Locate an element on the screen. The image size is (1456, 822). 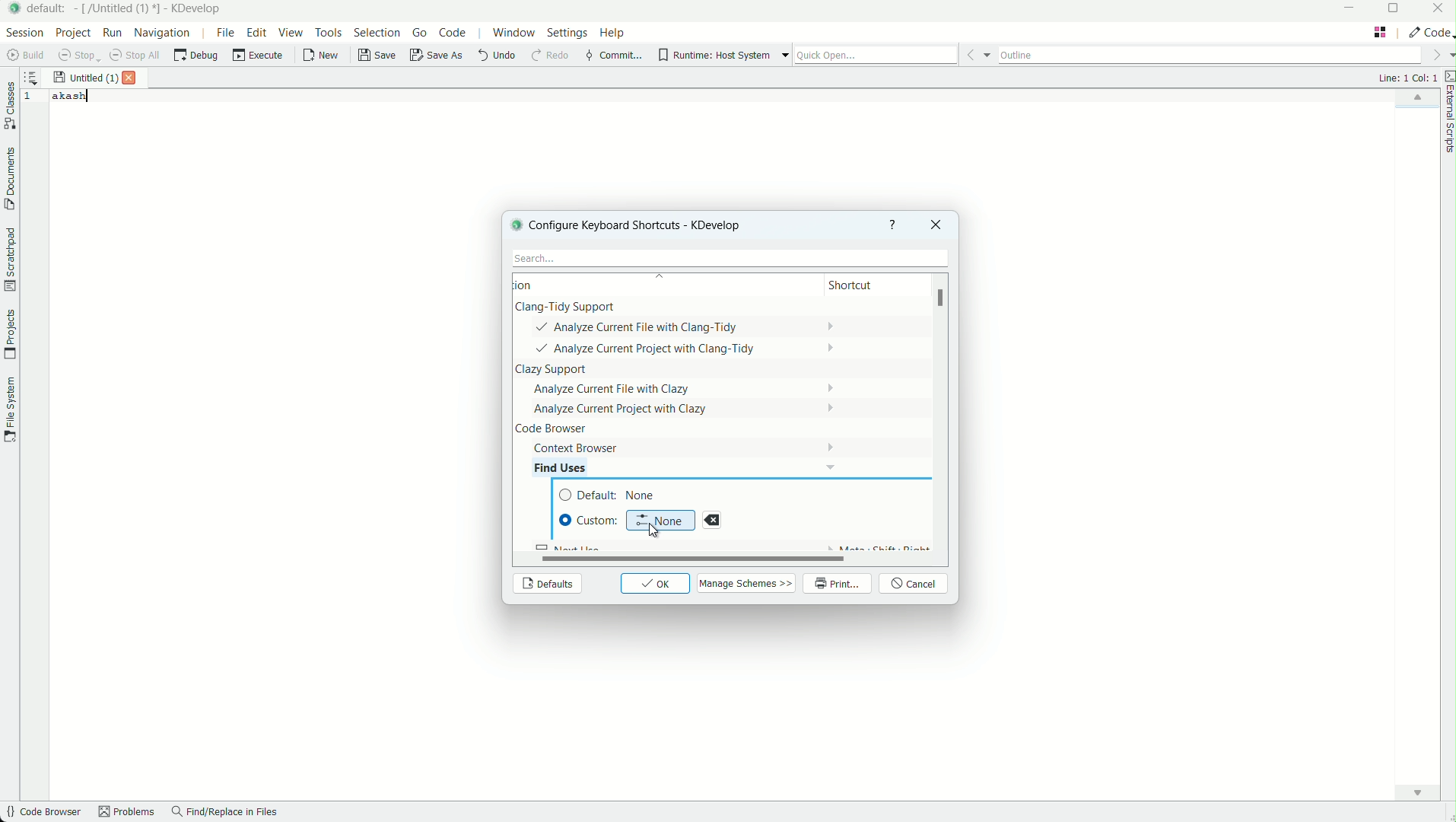
new is located at coordinates (322, 57).